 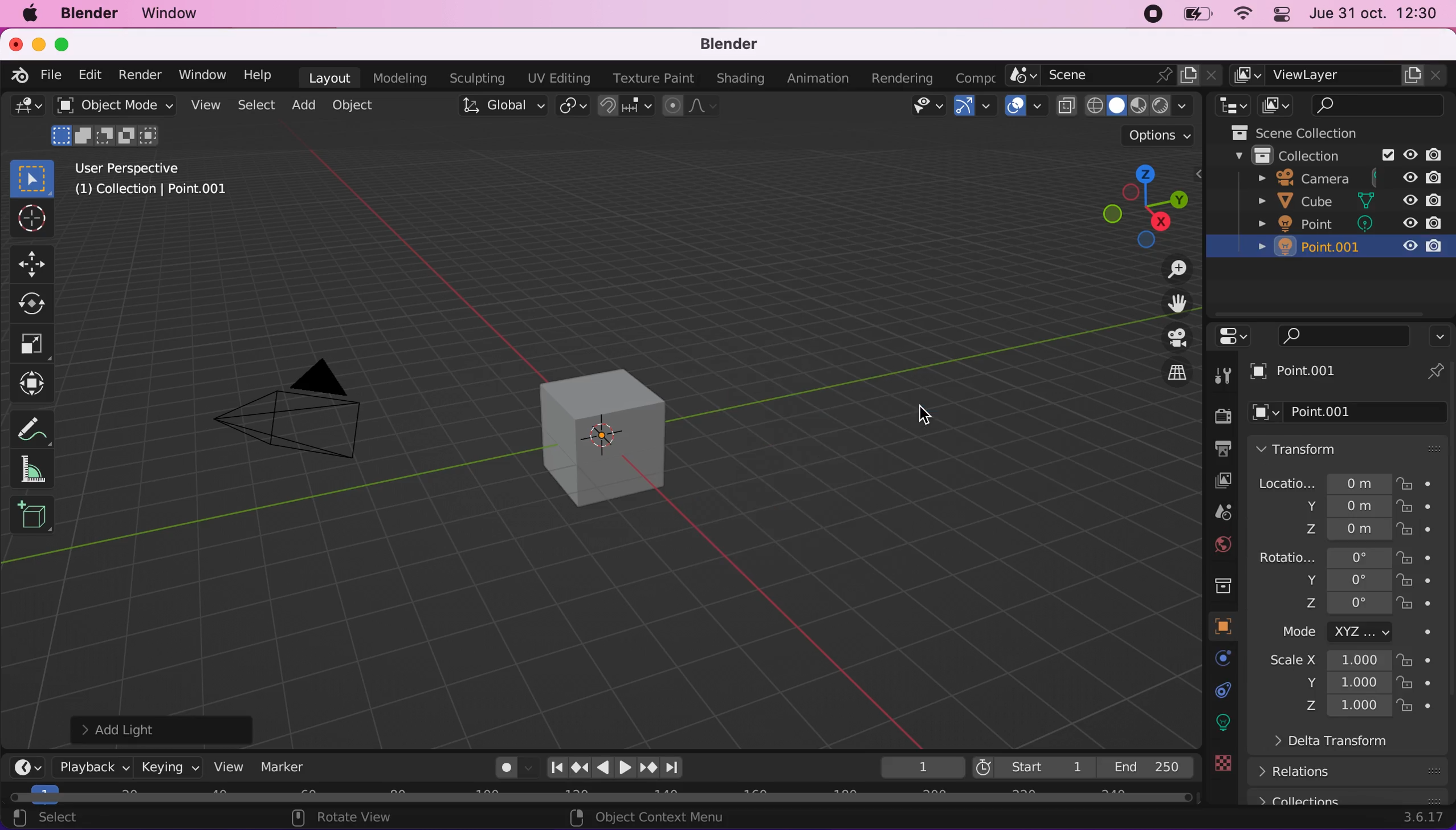 I want to click on set 3d cursor, so click(x=636, y=817).